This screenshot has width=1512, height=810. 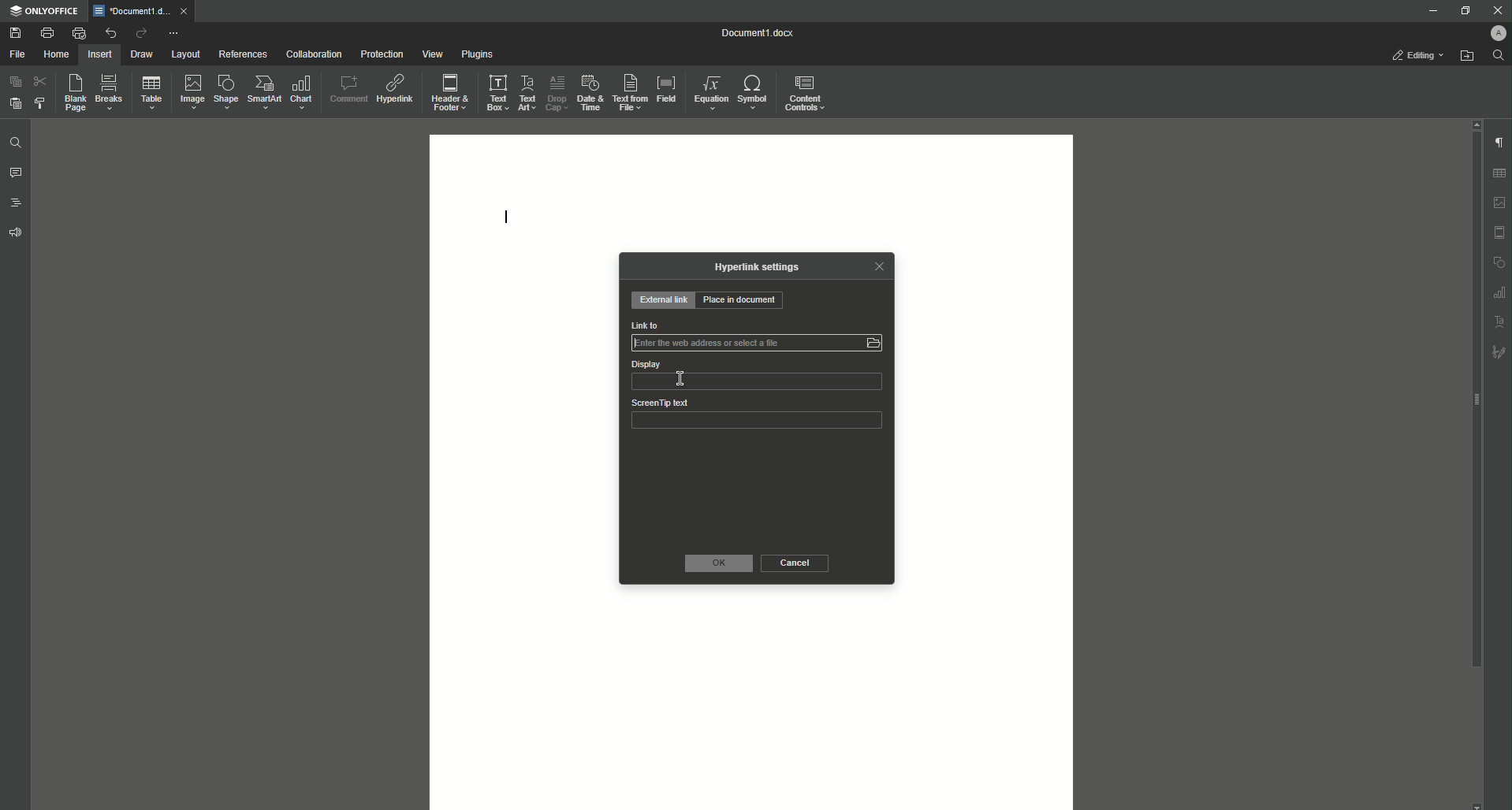 What do you see at coordinates (16, 104) in the screenshot?
I see `Paste` at bounding box center [16, 104].